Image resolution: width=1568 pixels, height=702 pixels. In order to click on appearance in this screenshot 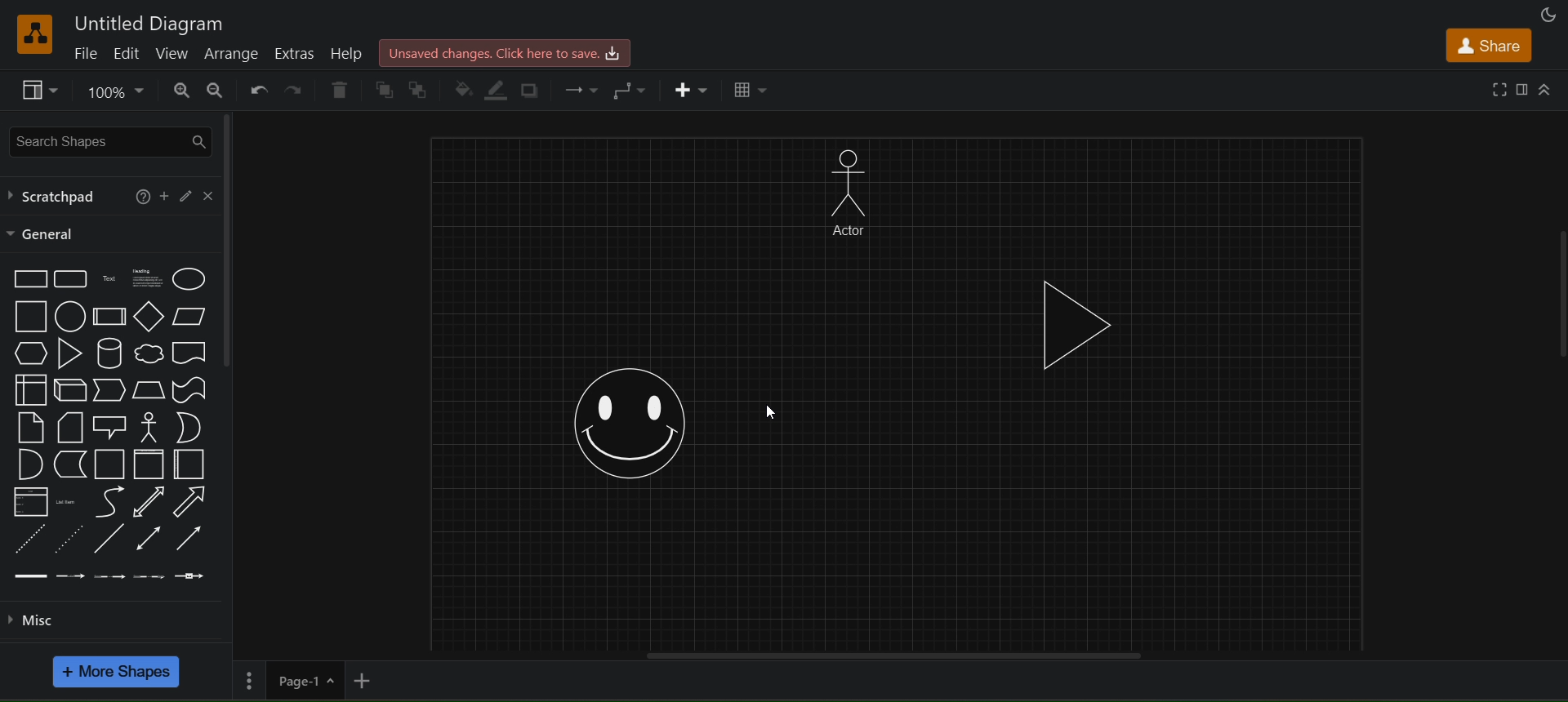, I will do `click(1547, 15)`.